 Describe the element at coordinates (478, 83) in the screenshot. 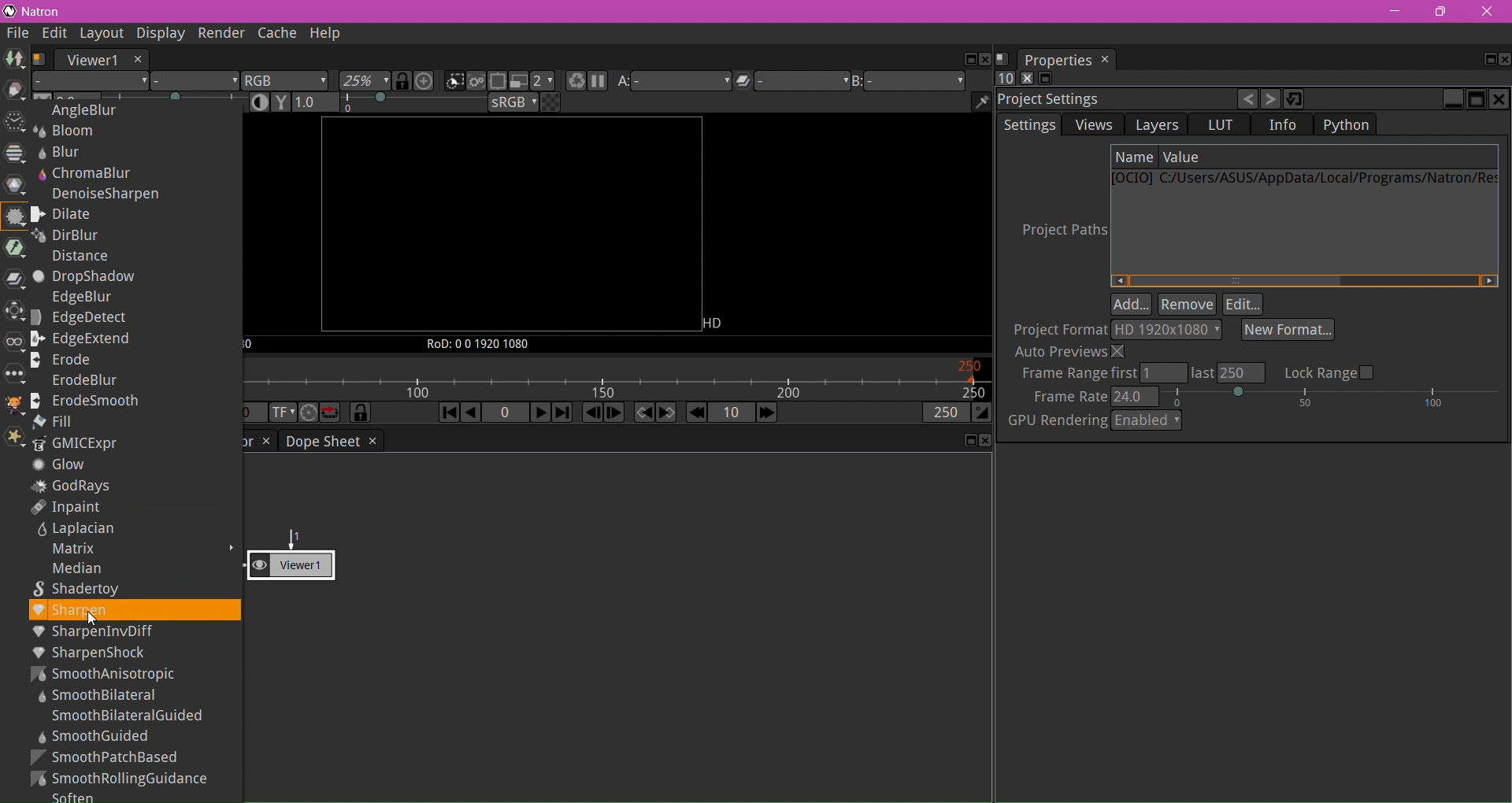

I see `When checked, the viewer will render the image in its entirety and not just the visibe portion` at that location.